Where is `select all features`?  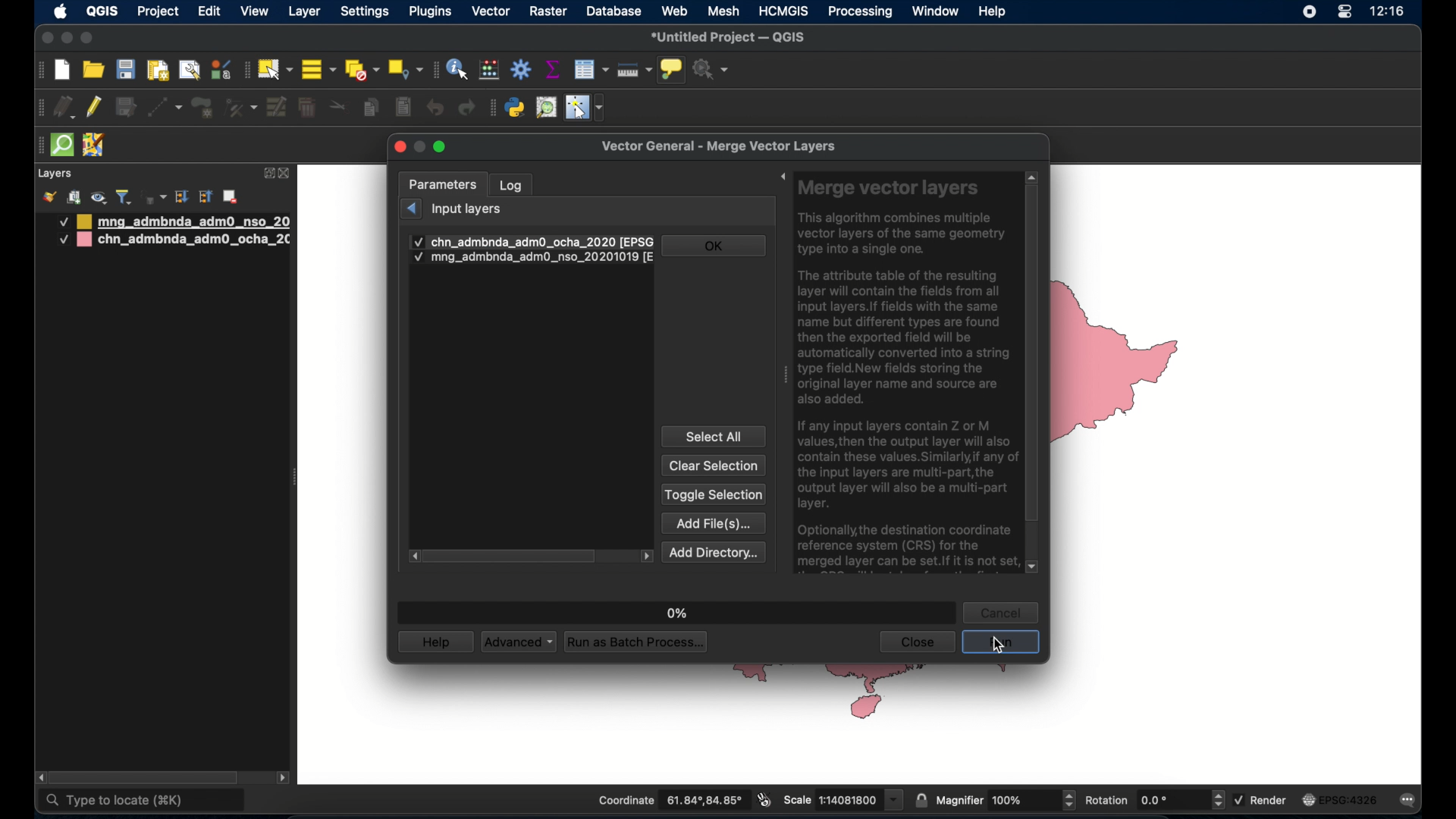 select all features is located at coordinates (319, 71).